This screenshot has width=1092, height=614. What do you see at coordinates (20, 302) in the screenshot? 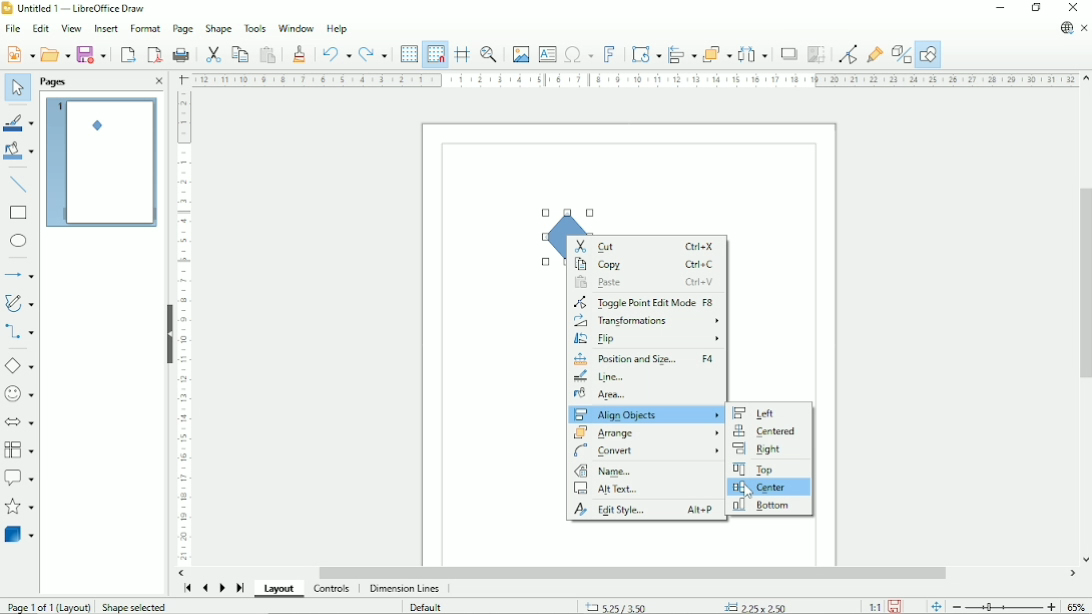
I see `Curves and polygons` at bounding box center [20, 302].